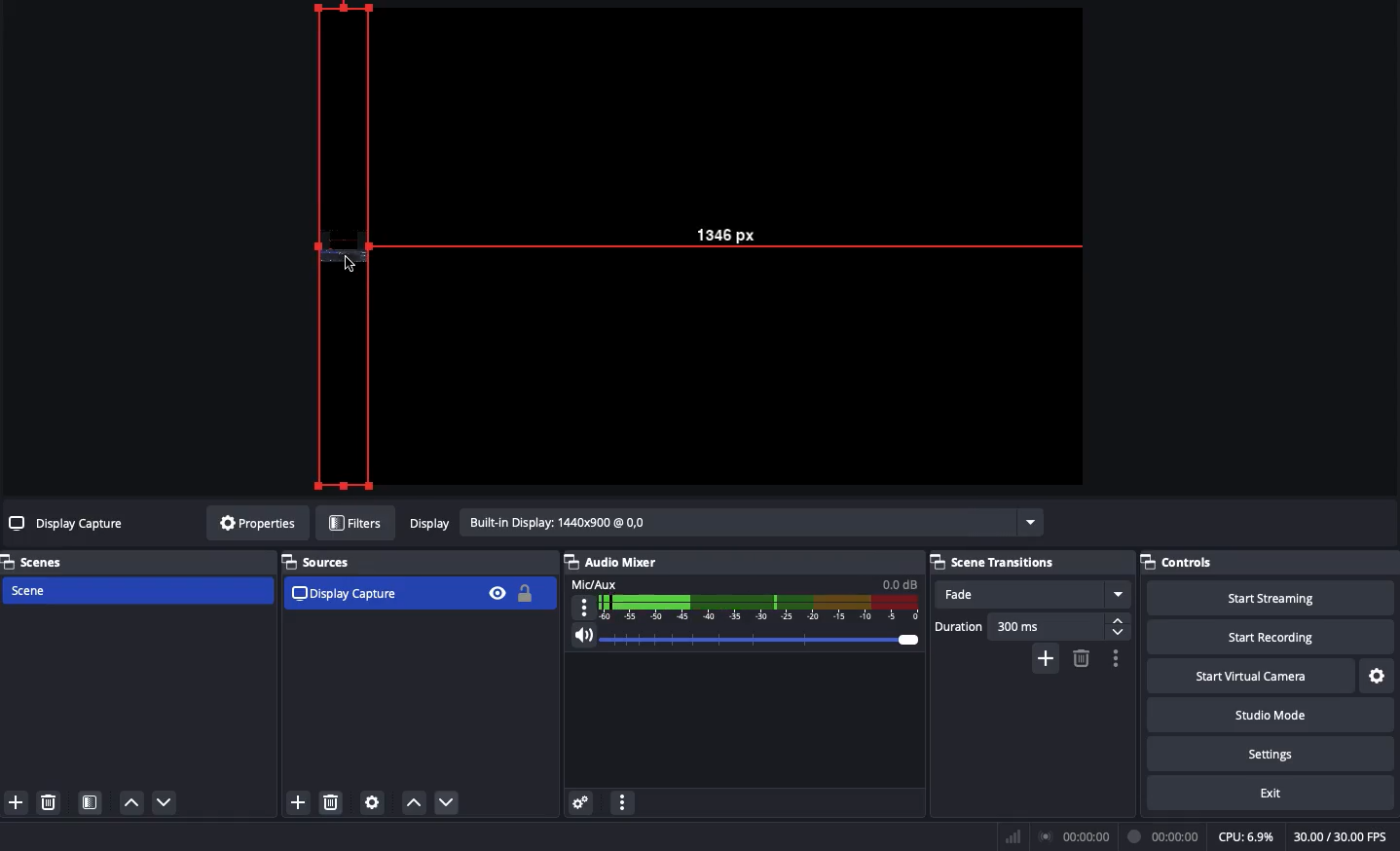 The image size is (1400, 851). I want to click on Filters, so click(356, 524).